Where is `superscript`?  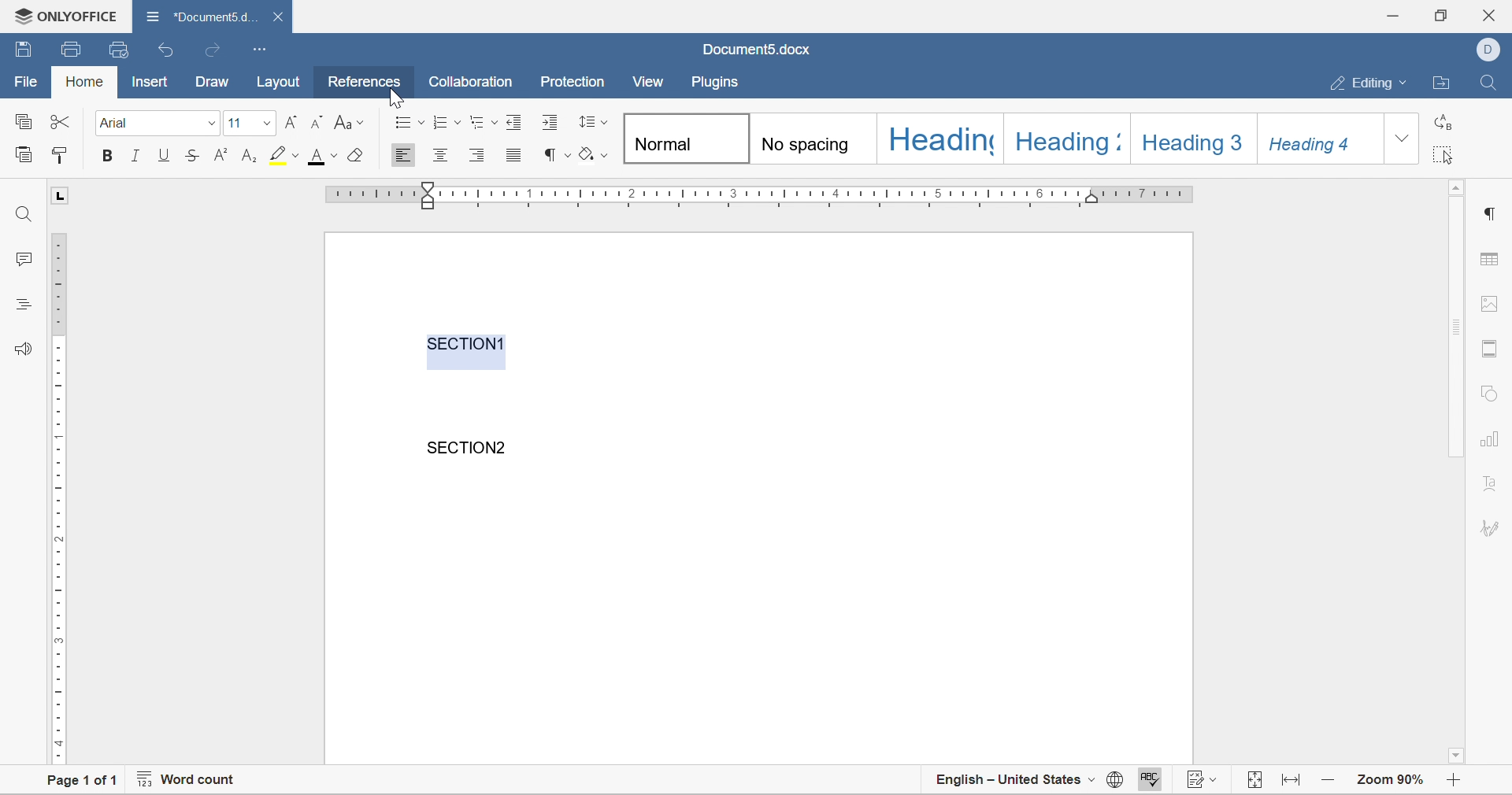 superscript is located at coordinates (222, 154).